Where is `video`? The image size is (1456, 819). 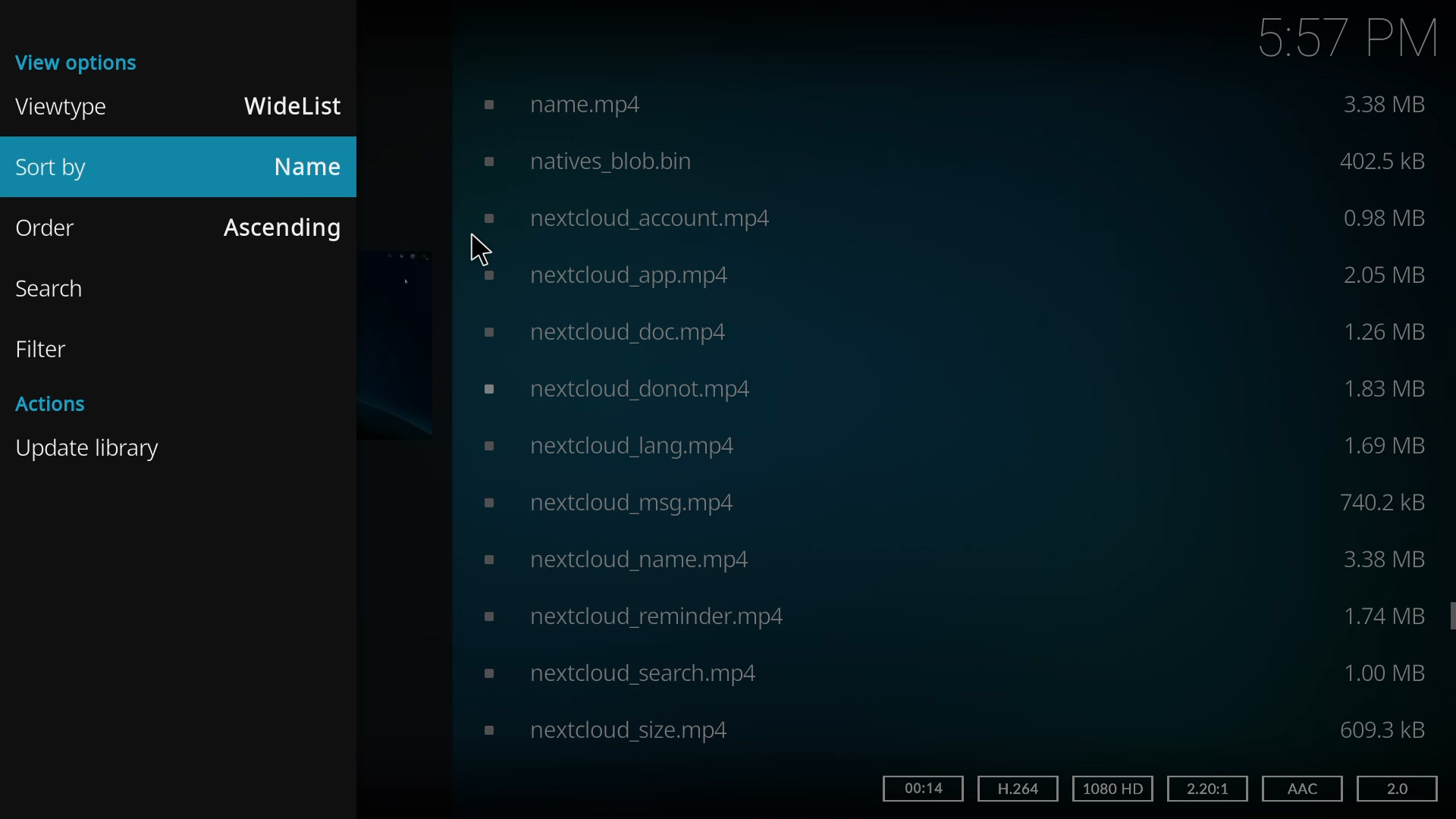 video is located at coordinates (603, 729).